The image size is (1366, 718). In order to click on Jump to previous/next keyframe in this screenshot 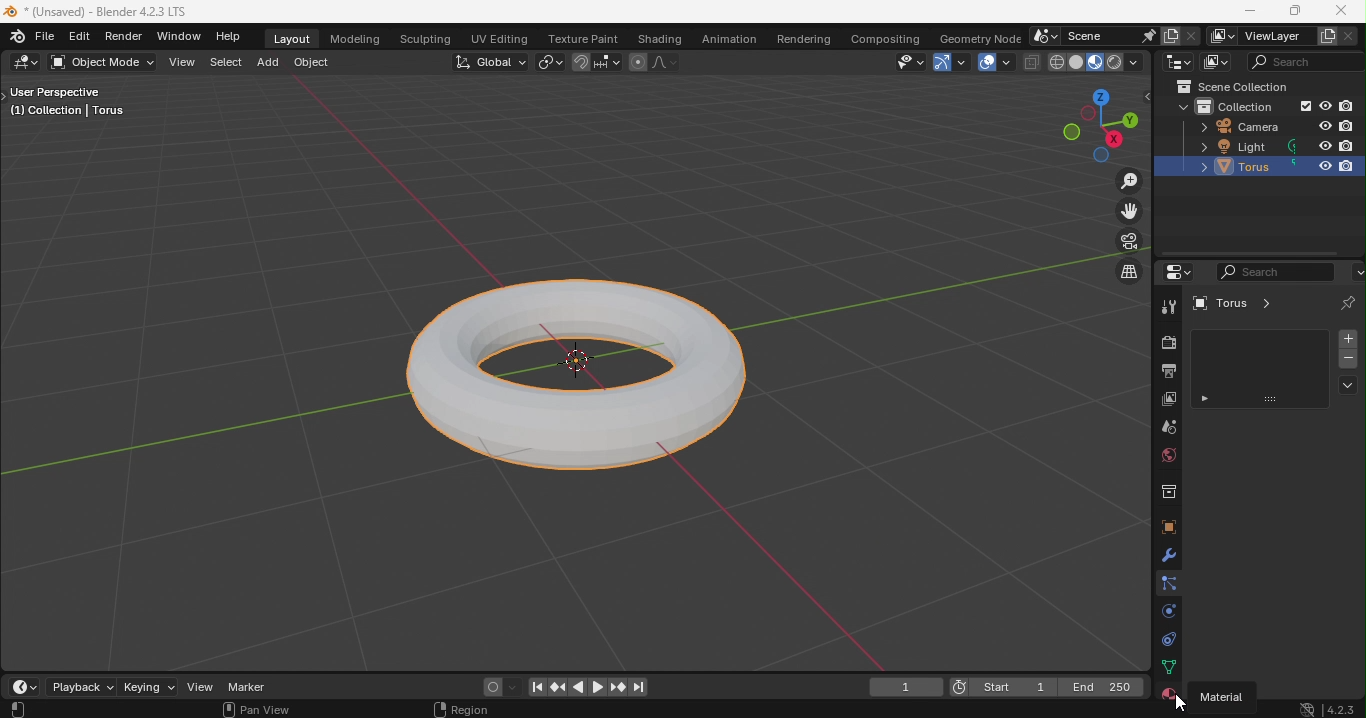, I will do `click(557, 688)`.